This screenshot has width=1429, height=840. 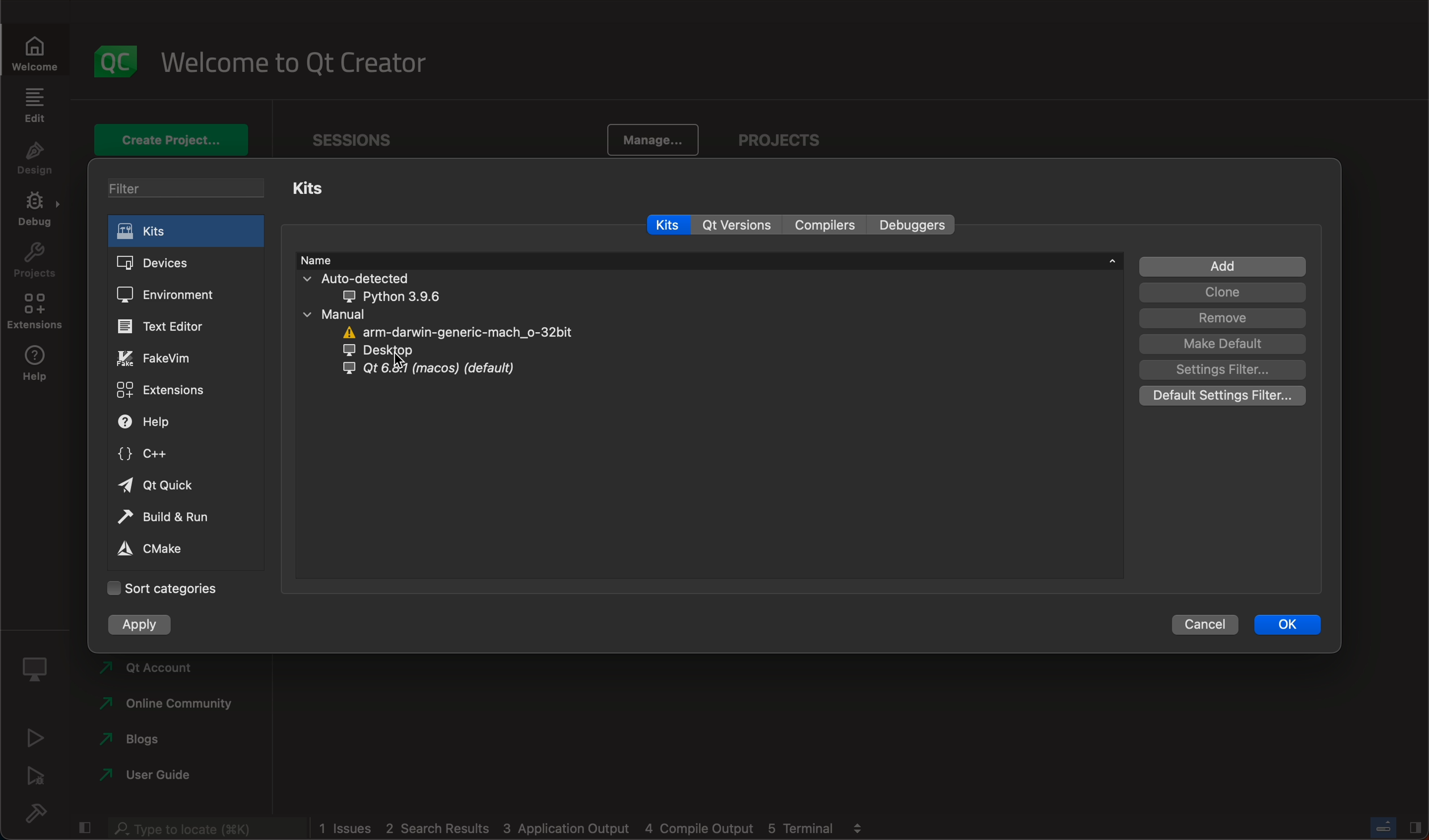 What do you see at coordinates (159, 357) in the screenshot?
I see `fakevim` at bounding box center [159, 357].